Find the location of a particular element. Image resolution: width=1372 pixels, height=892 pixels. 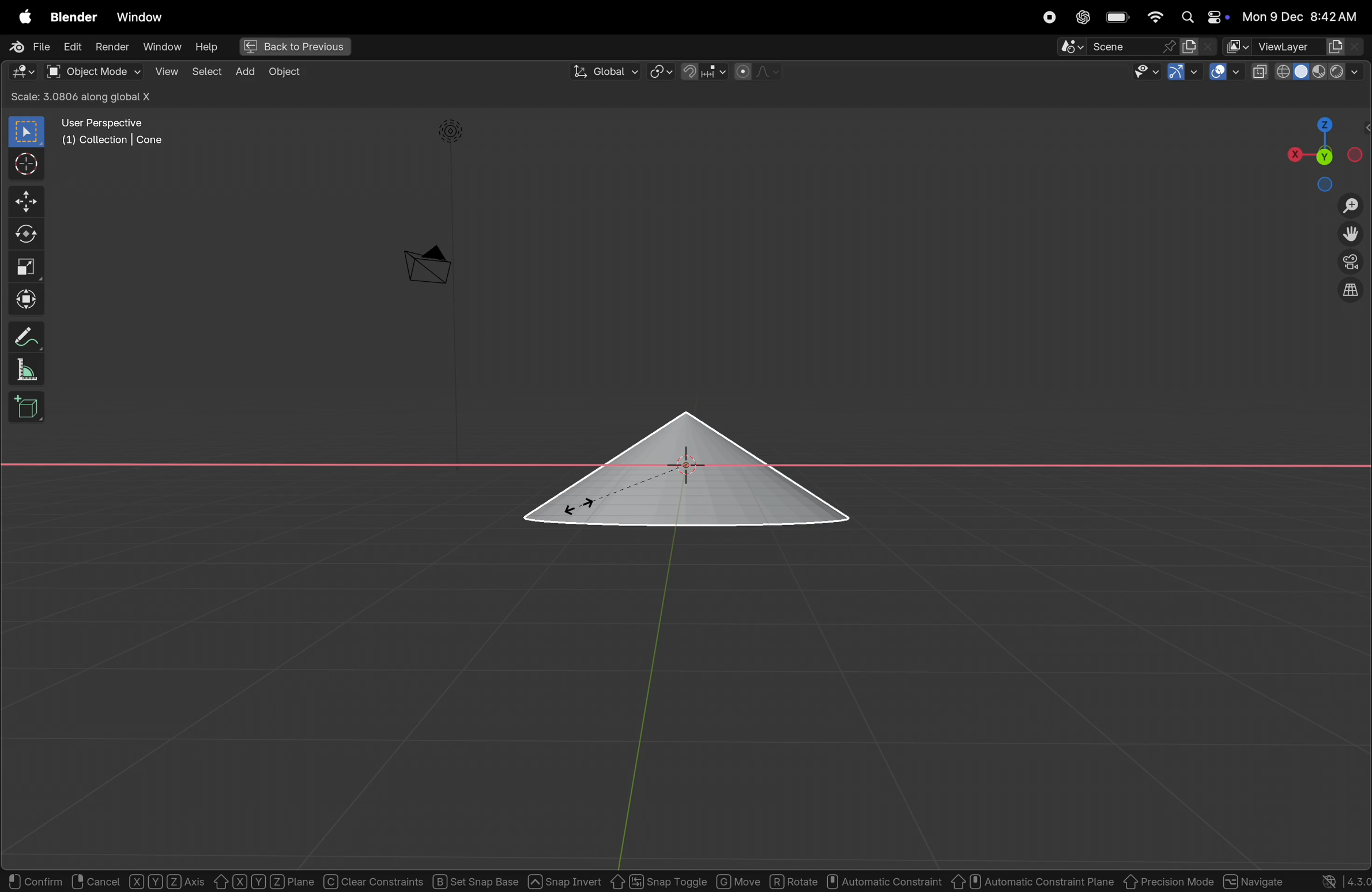

new scene is located at coordinates (1197, 46).